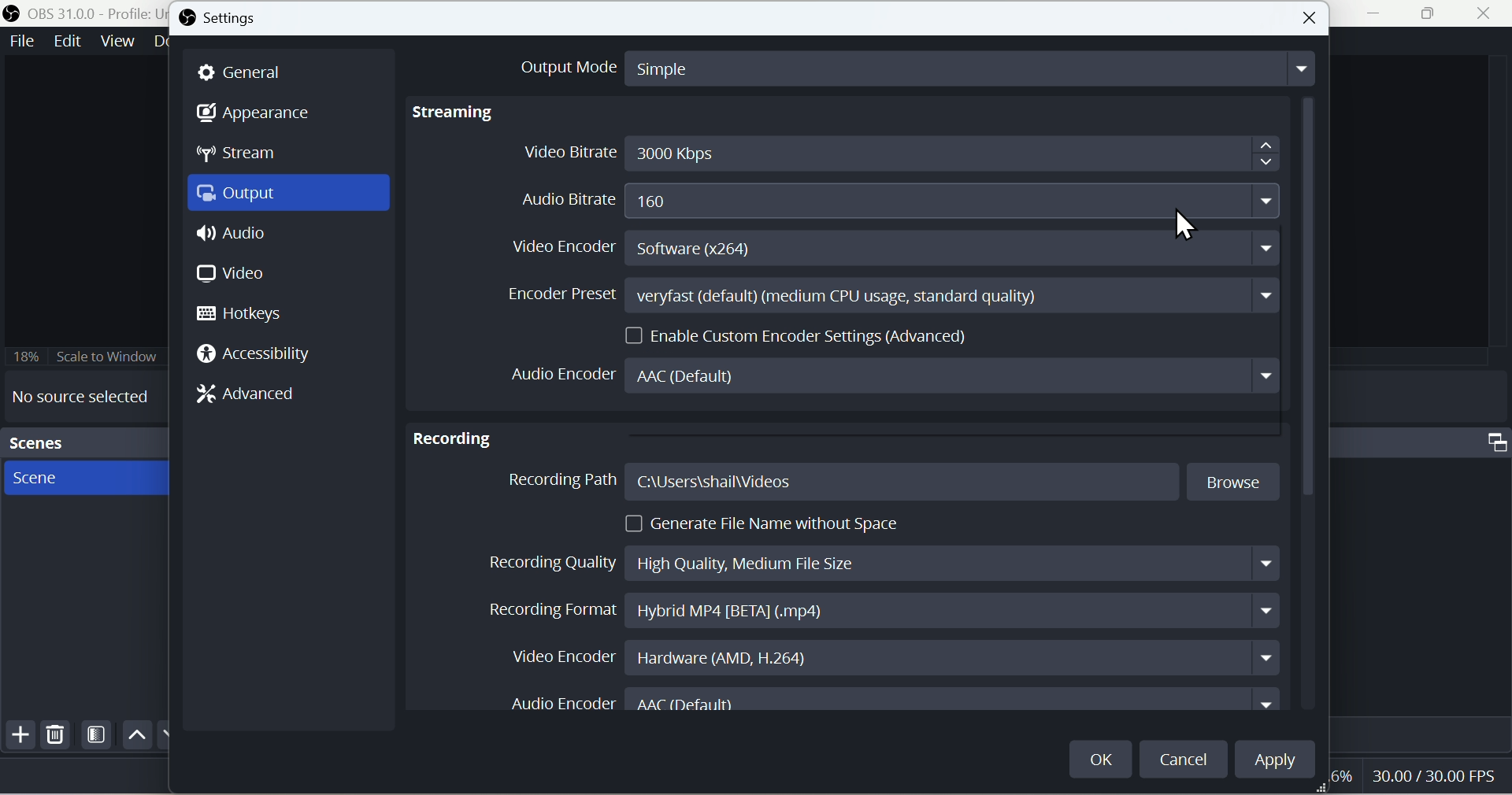 The image size is (1512, 795). What do you see at coordinates (1425, 440) in the screenshot?
I see `Audio mixer` at bounding box center [1425, 440].